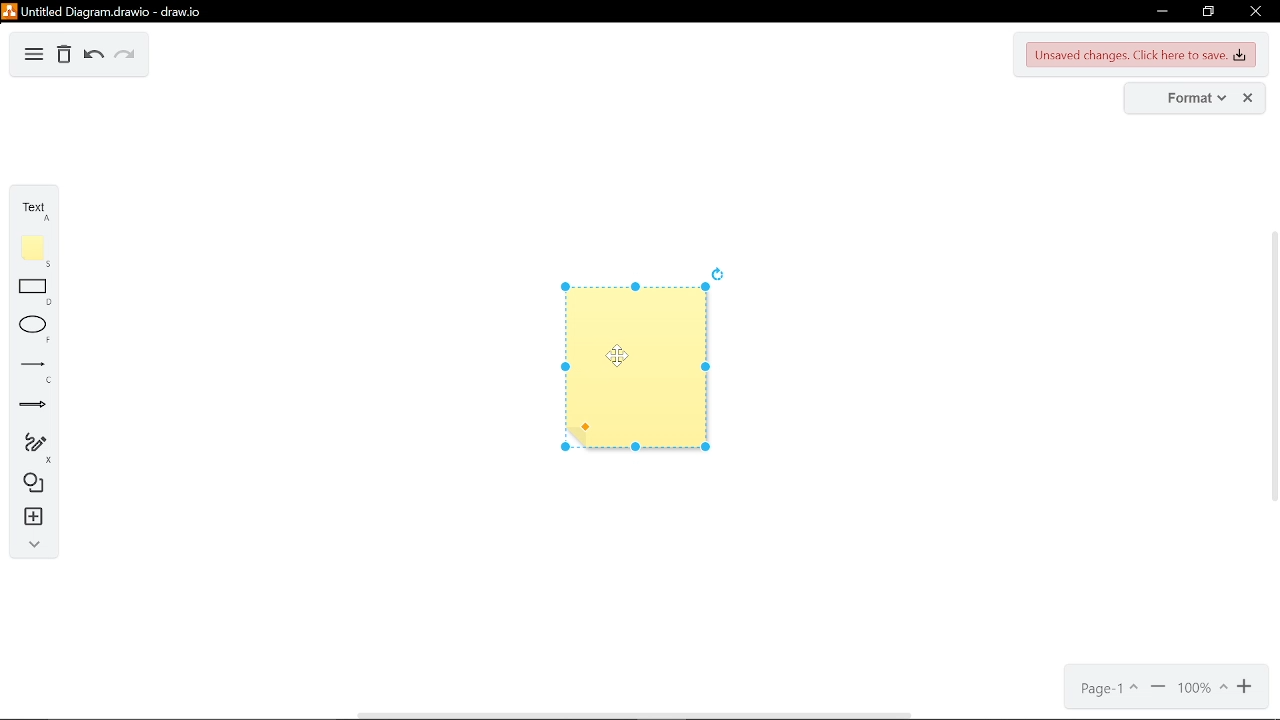 This screenshot has width=1280, height=720. I want to click on freehand, so click(32, 447).